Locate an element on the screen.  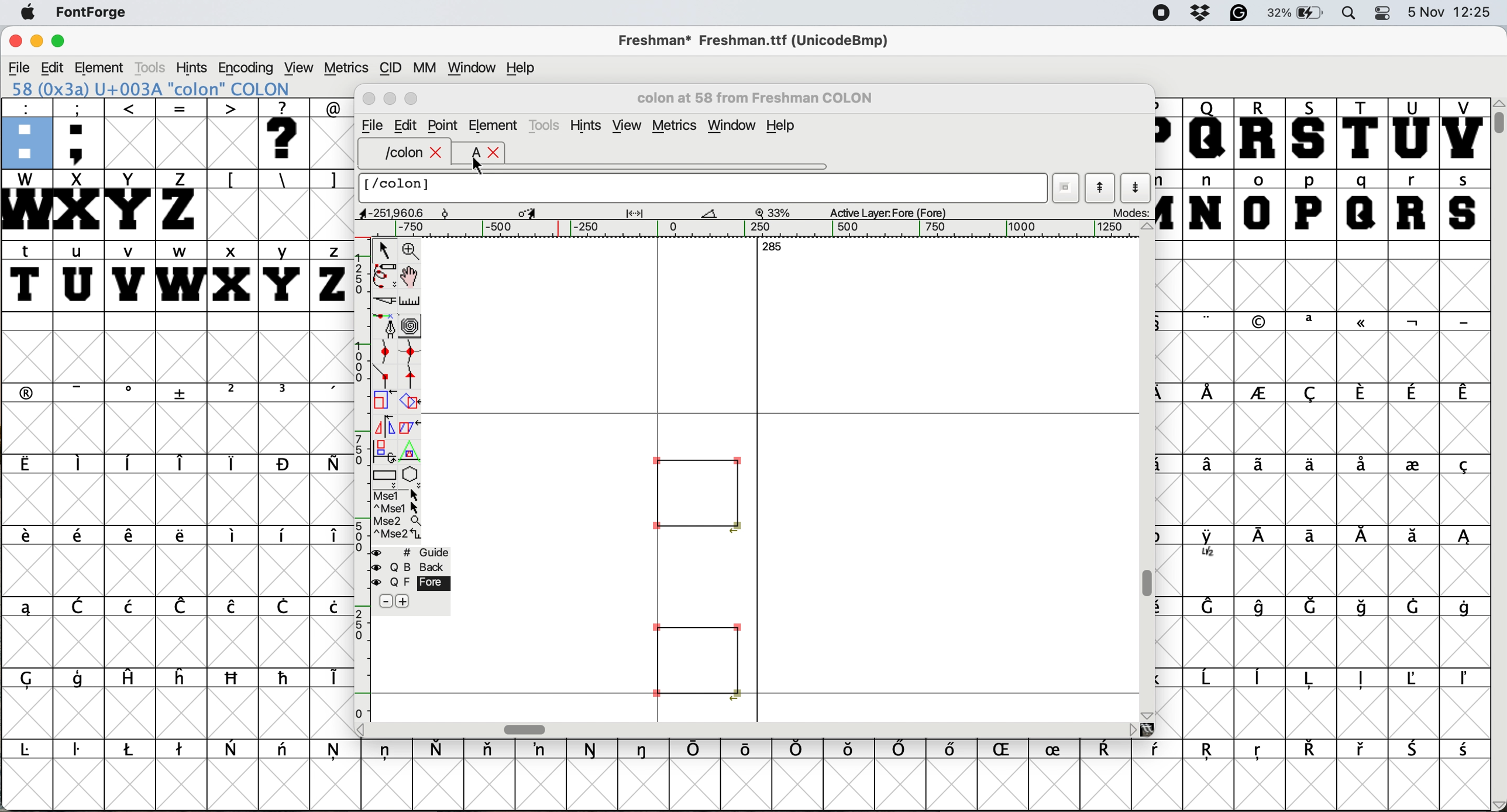
symbol is located at coordinates (593, 749).